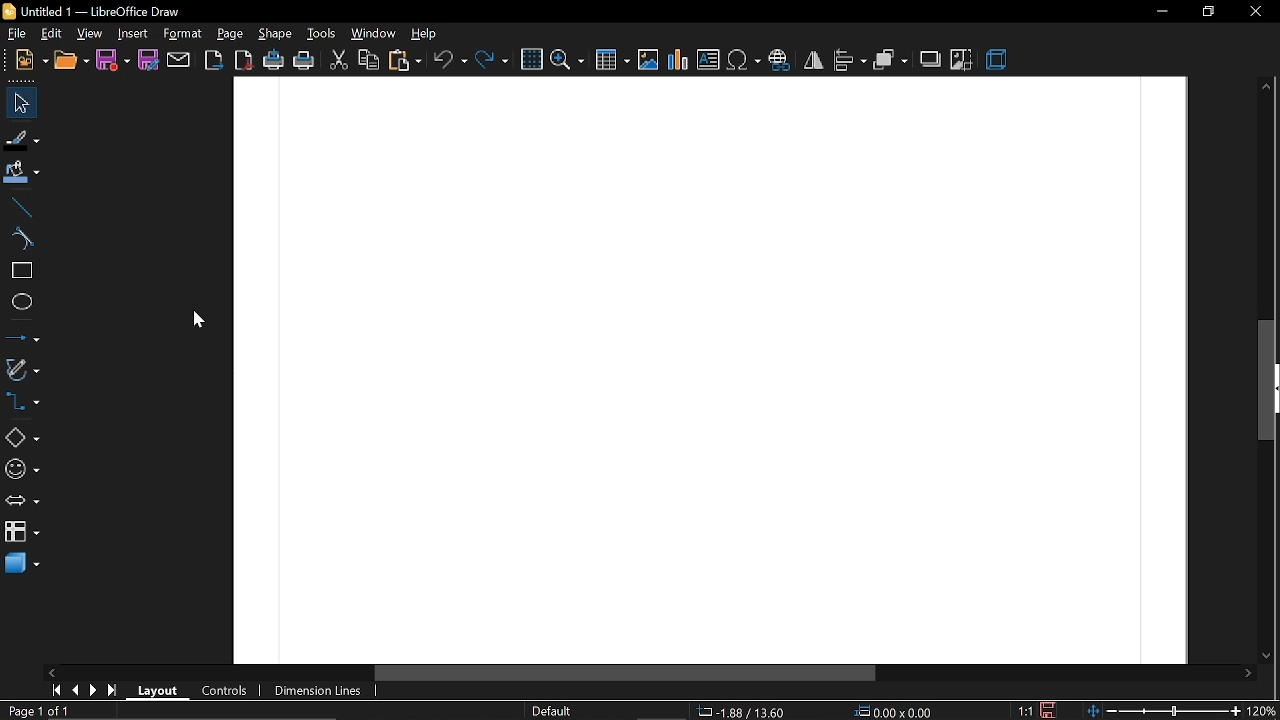 Image resolution: width=1280 pixels, height=720 pixels. What do you see at coordinates (423, 33) in the screenshot?
I see `help` at bounding box center [423, 33].